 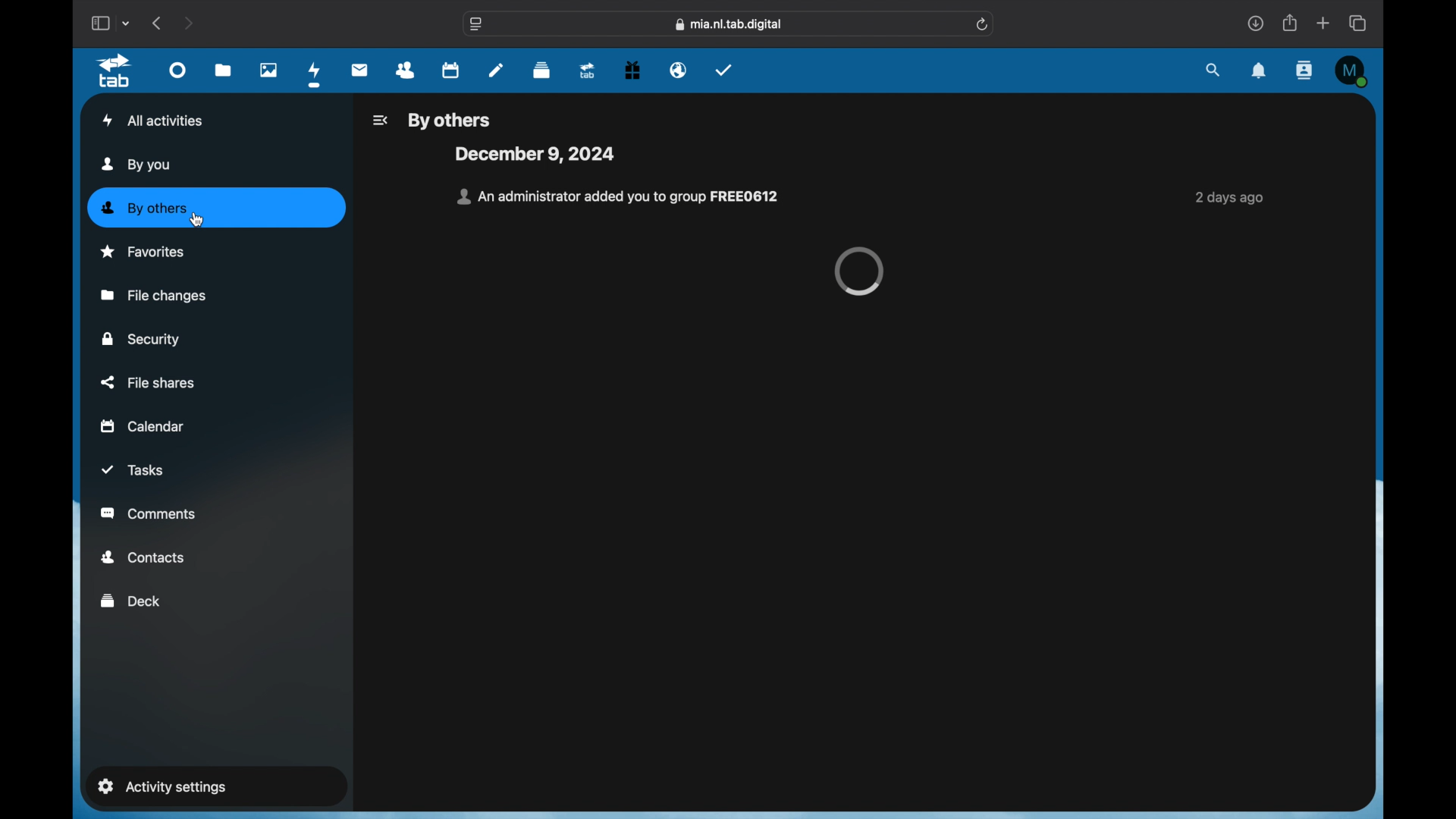 What do you see at coordinates (1288, 22) in the screenshot?
I see `share` at bounding box center [1288, 22].